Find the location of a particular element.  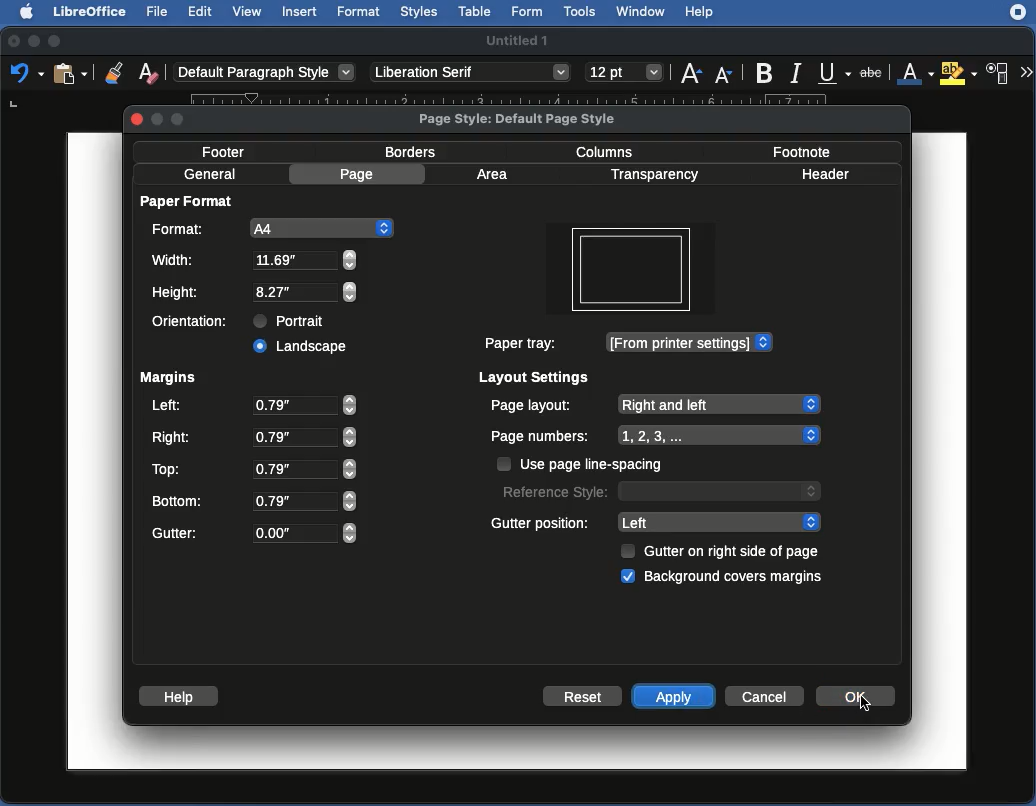

Default paragraph style is located at coordinates (271, 74).